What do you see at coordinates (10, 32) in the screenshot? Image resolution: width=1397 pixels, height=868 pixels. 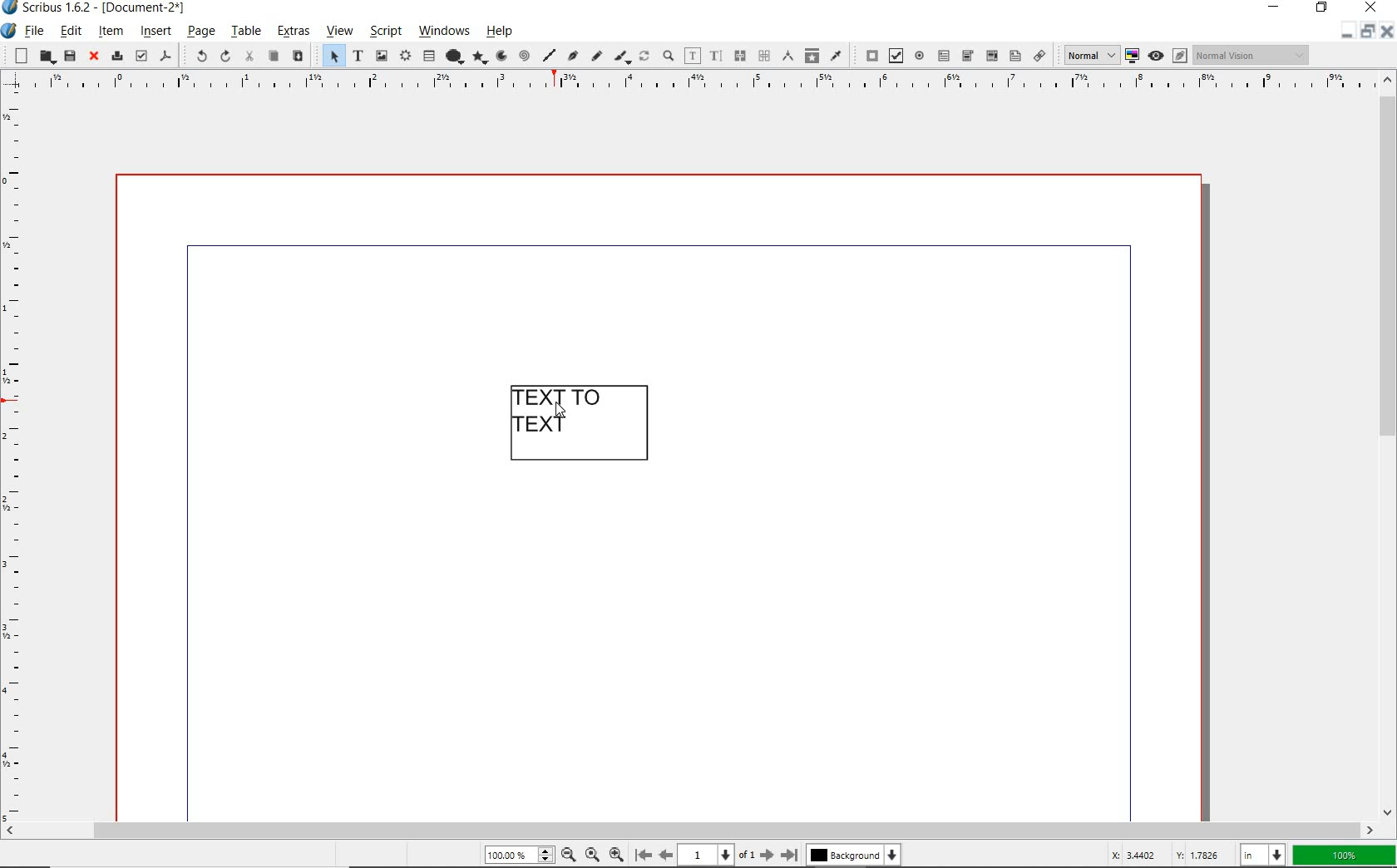 I see `system icon` at bounding box center [10, 32].